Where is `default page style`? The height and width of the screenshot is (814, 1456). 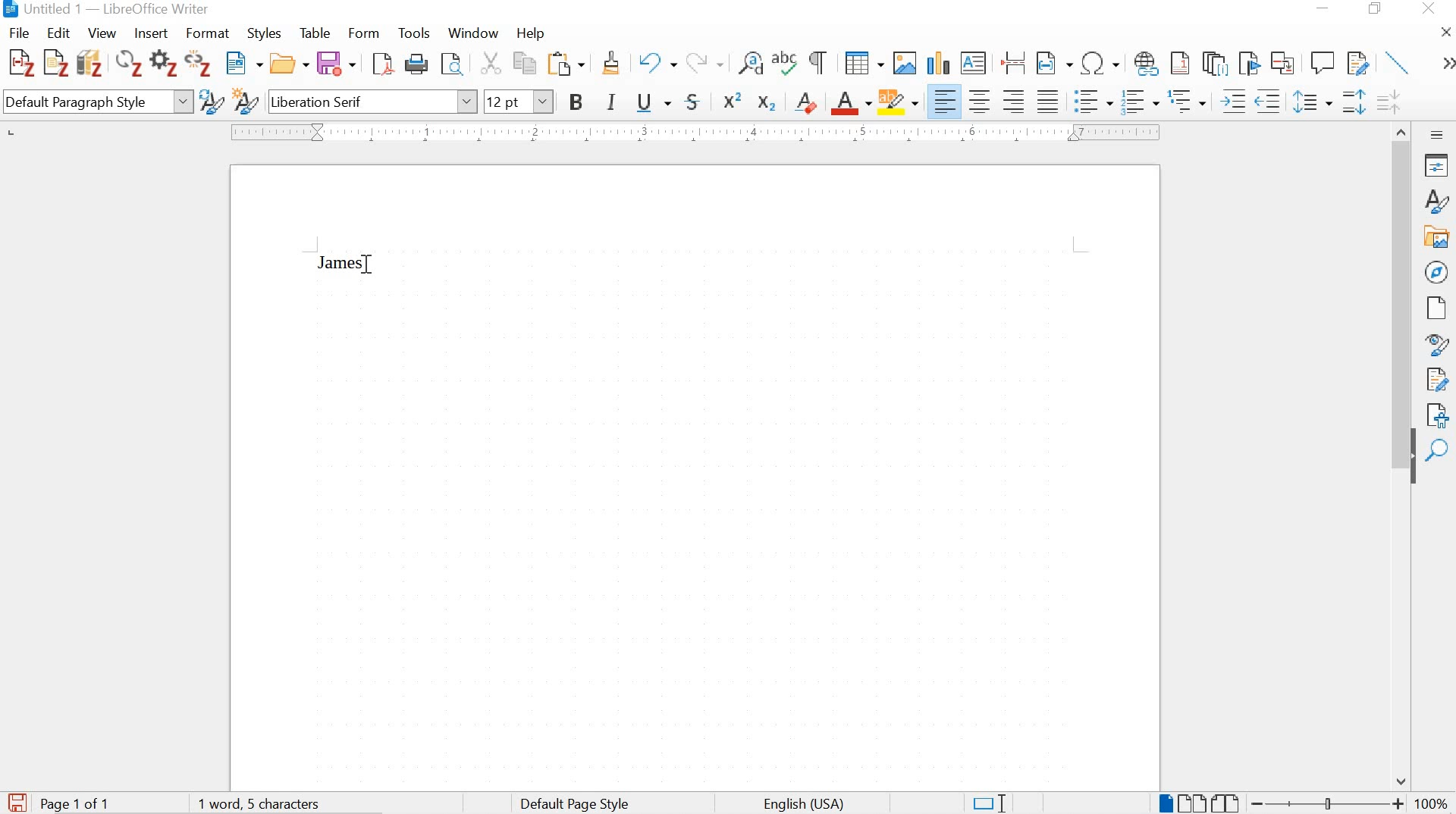 default page style is located at coordinates (578, 803).